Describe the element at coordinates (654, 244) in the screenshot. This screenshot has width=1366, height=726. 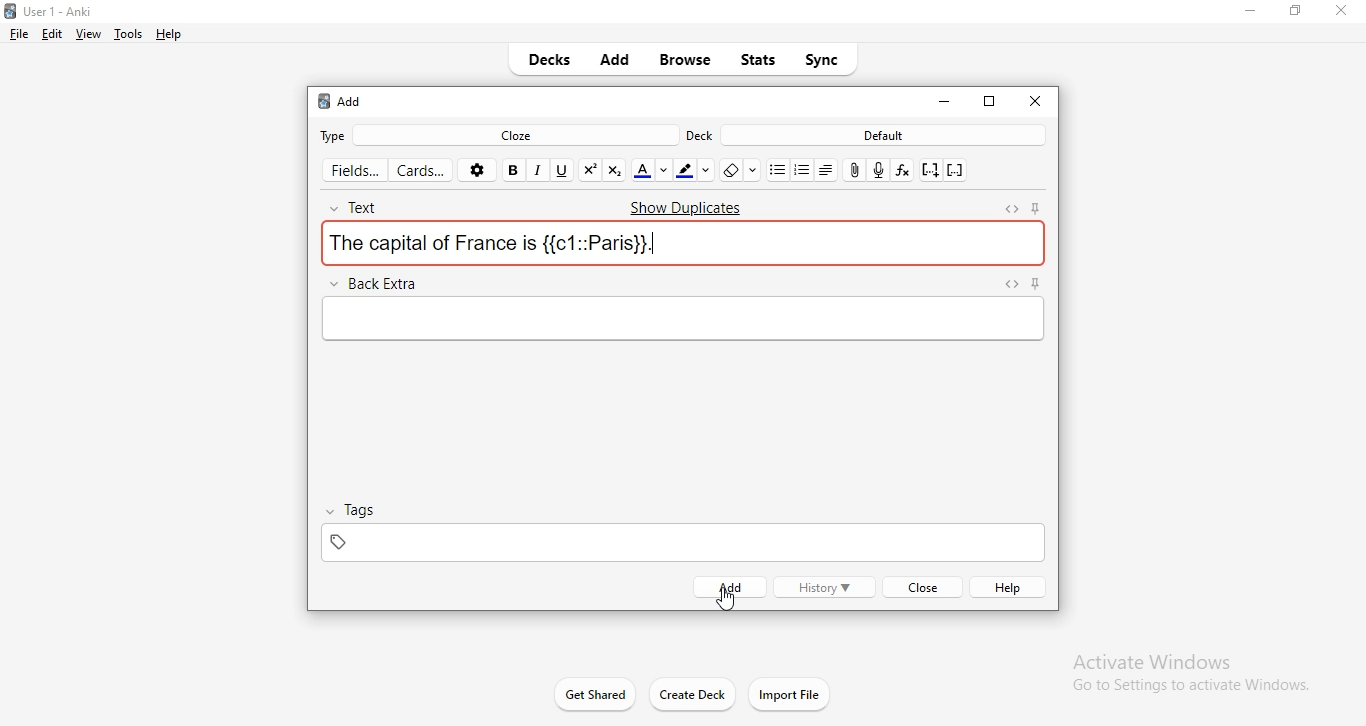
I see `text cursor` at that location.